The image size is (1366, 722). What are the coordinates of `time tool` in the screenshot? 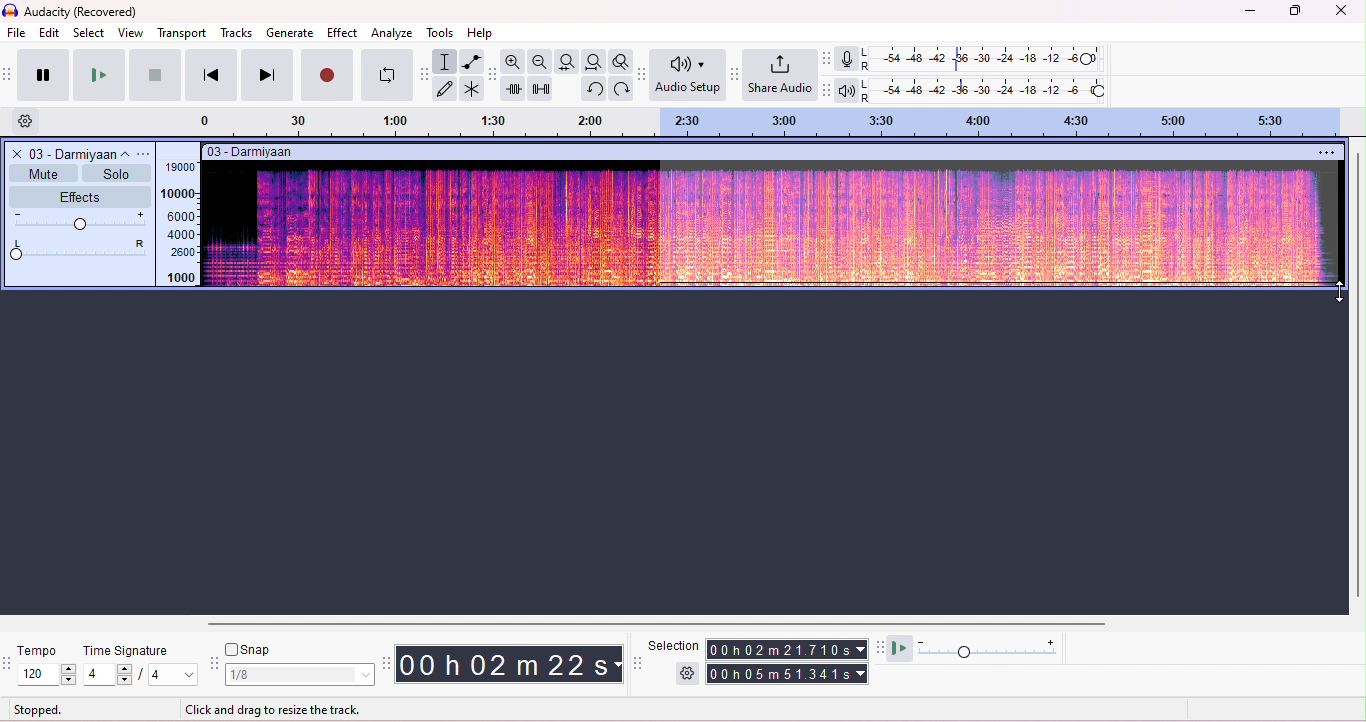 It's located at (386, 662).